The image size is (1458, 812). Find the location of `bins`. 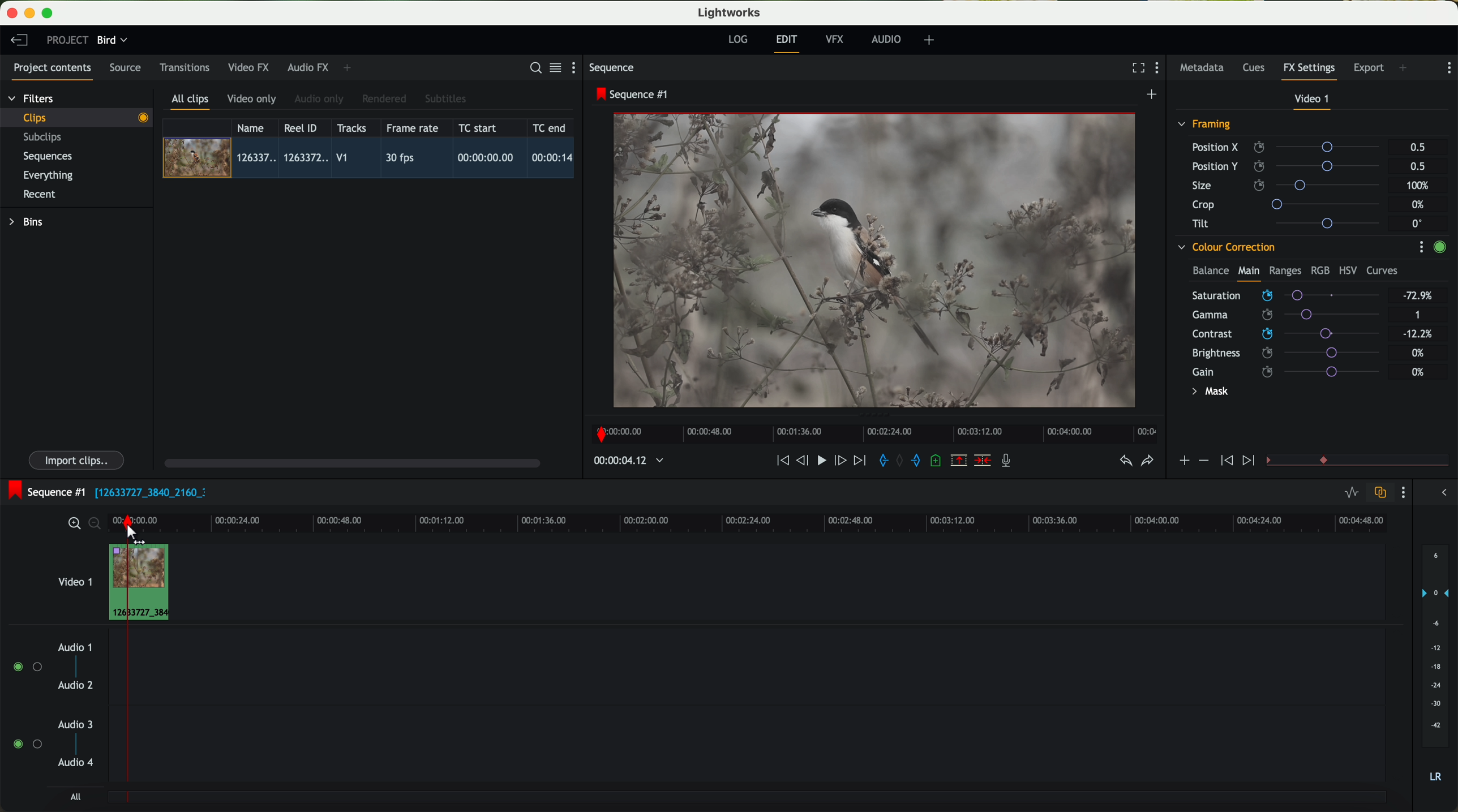

bins is located at coordinates (28, 222).